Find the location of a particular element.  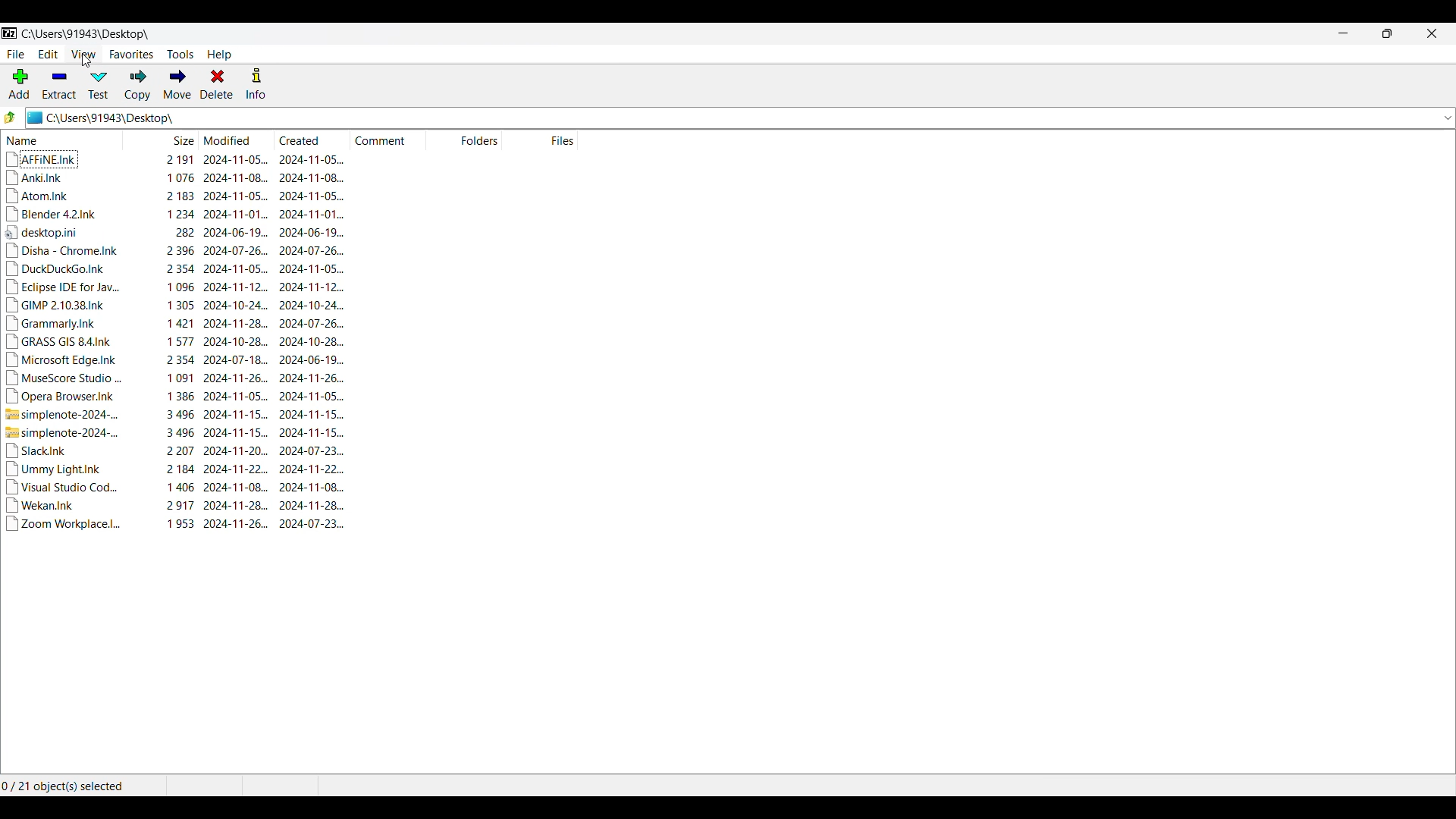

File is located at coordinates (15, 55).